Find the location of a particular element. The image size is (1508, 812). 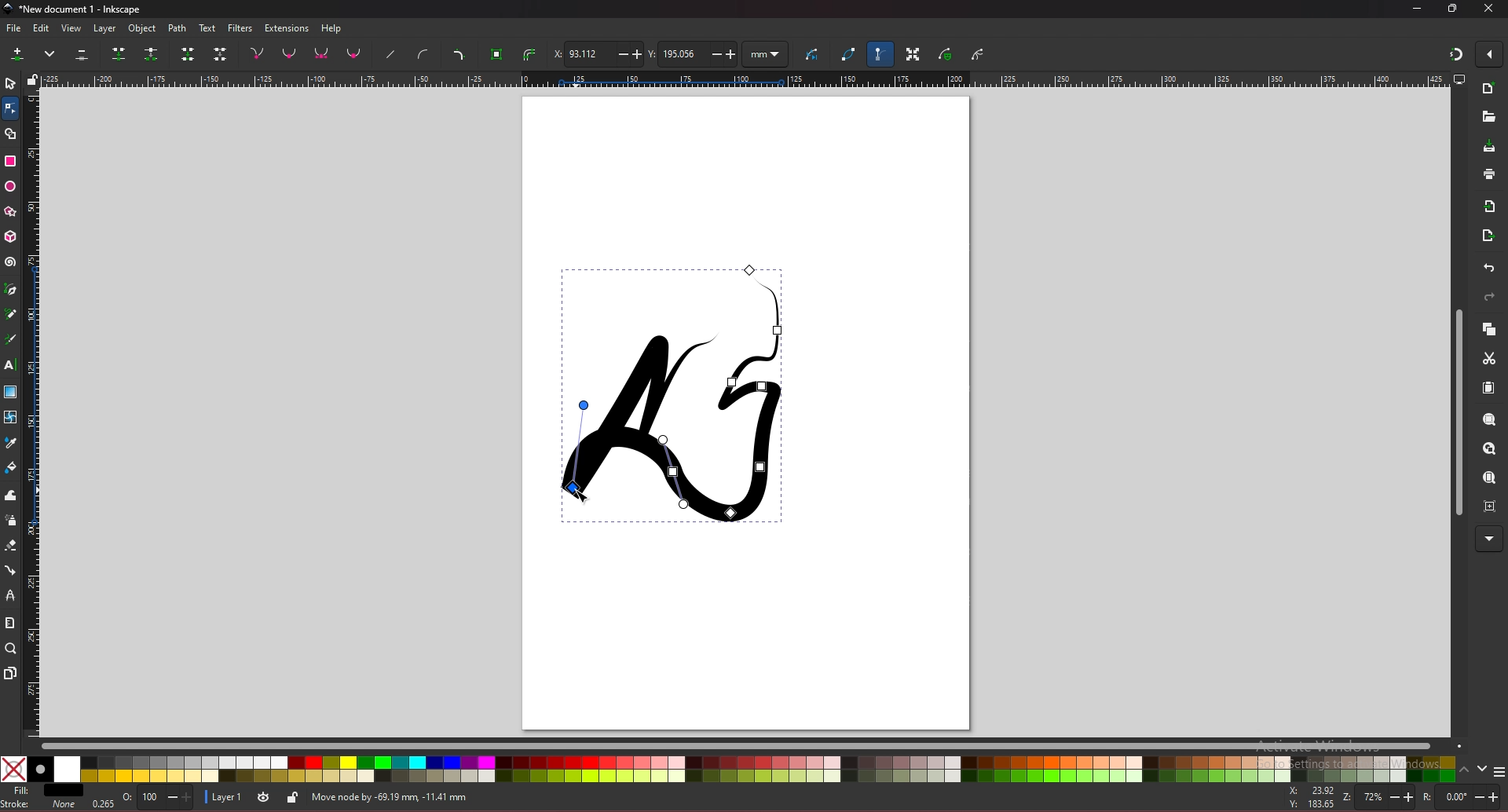

selector is located at coordinates (10, 83).